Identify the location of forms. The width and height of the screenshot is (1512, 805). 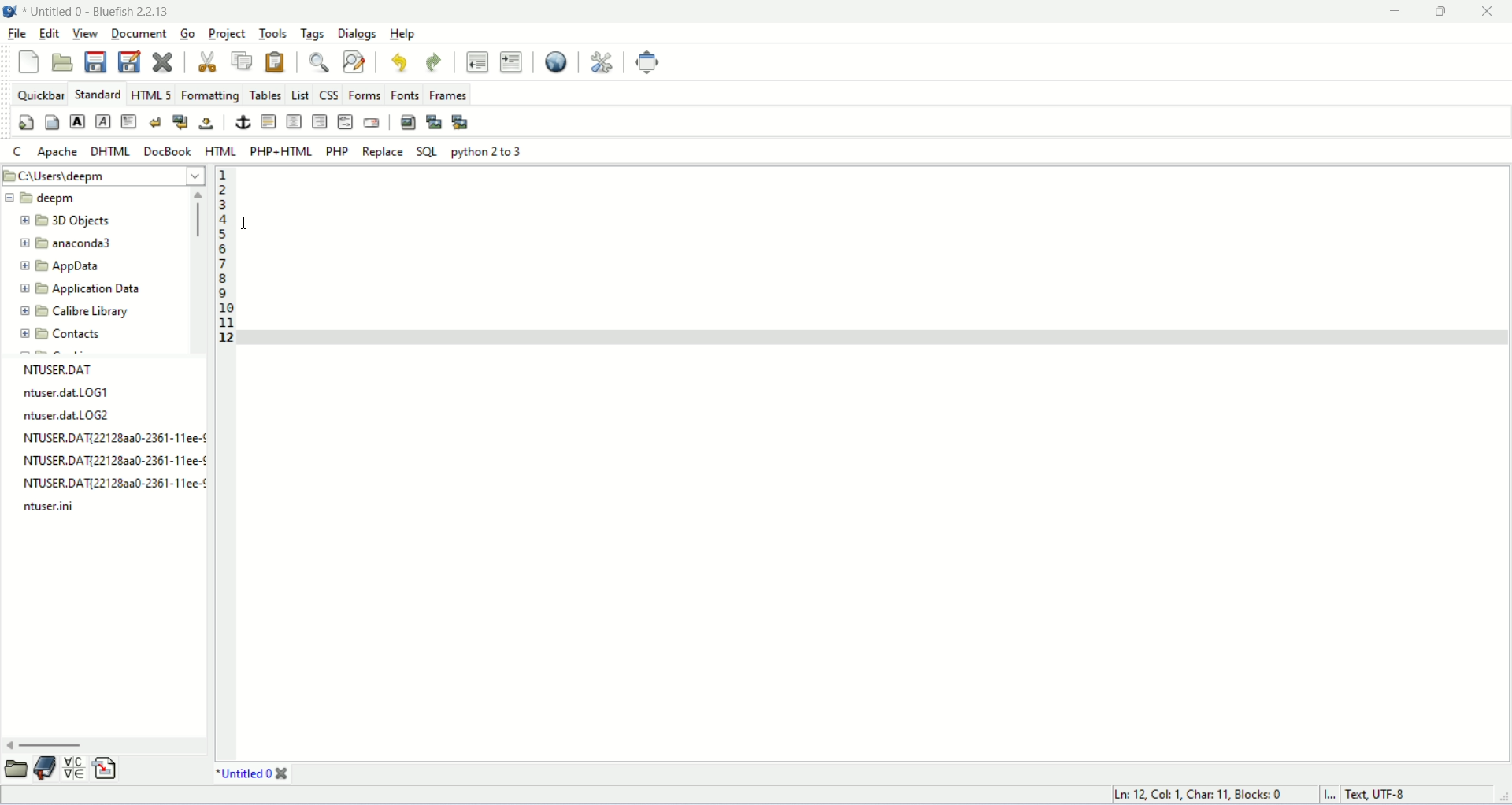
(363, 95).